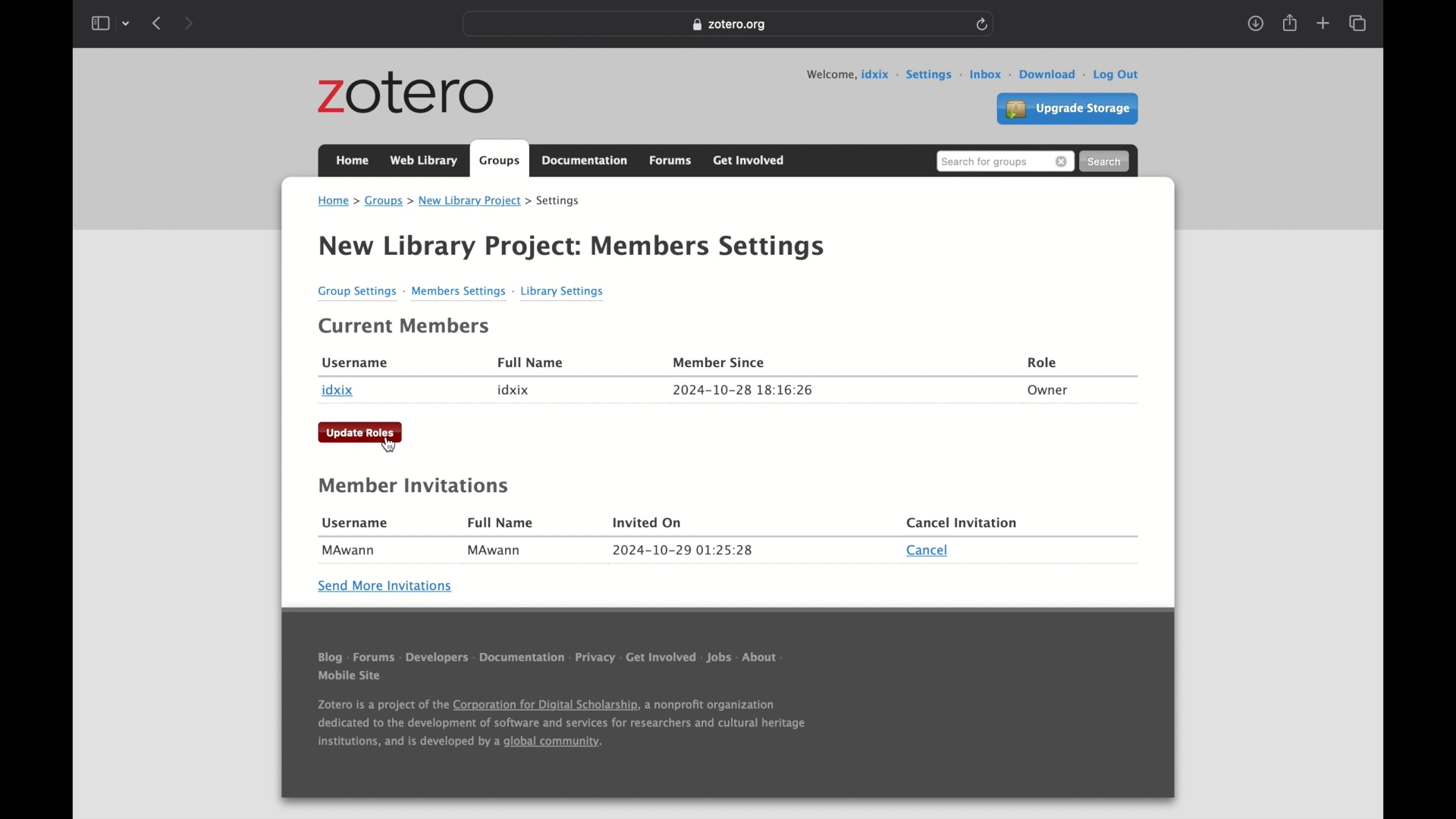 The height and width of the screenshot is (819, 1456). Describe the element at coordinates (158, 24) in the screenshot. I see `show previous page` at that location.